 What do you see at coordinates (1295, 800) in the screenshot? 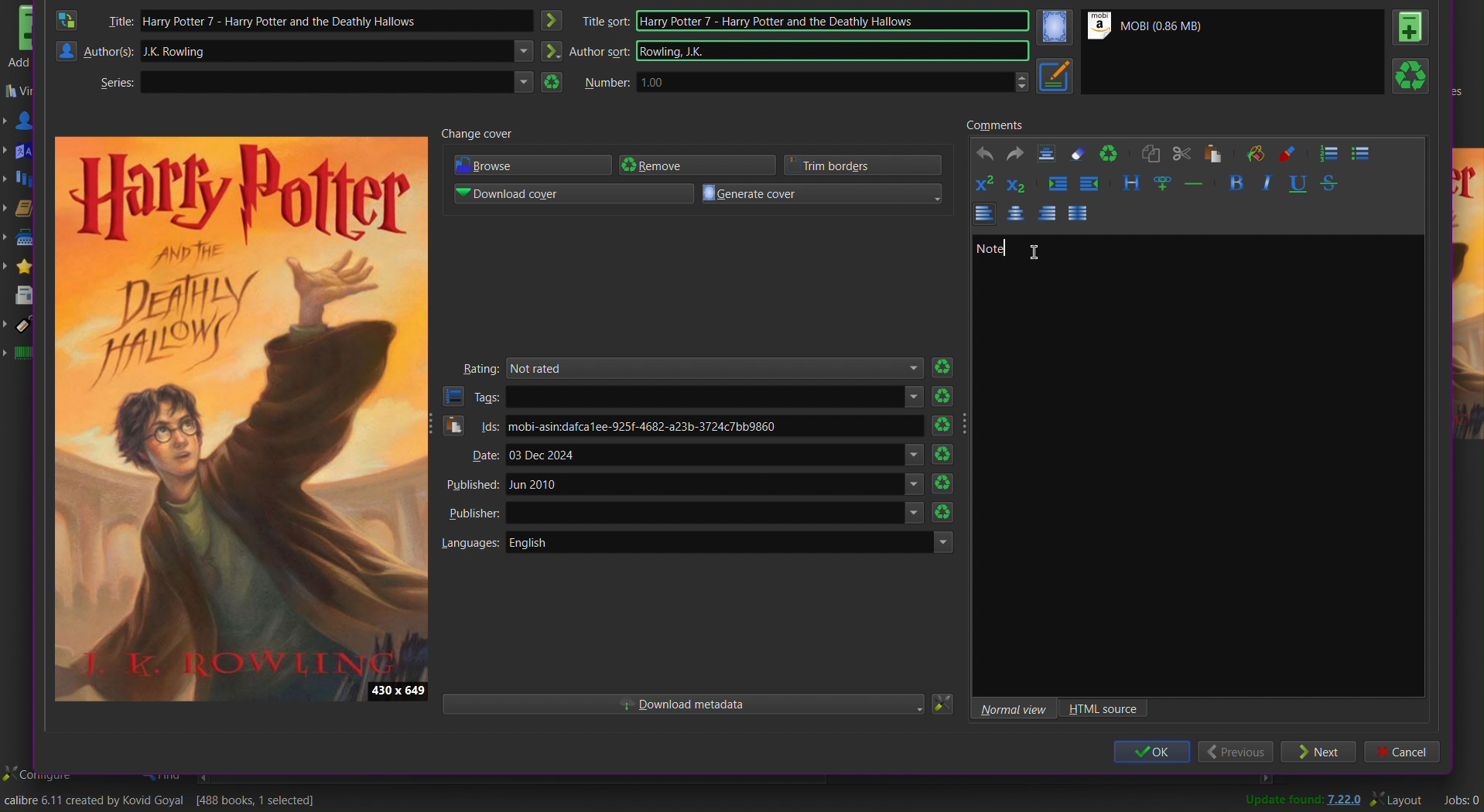
I see `Update` at bounding box center [1295, 800].